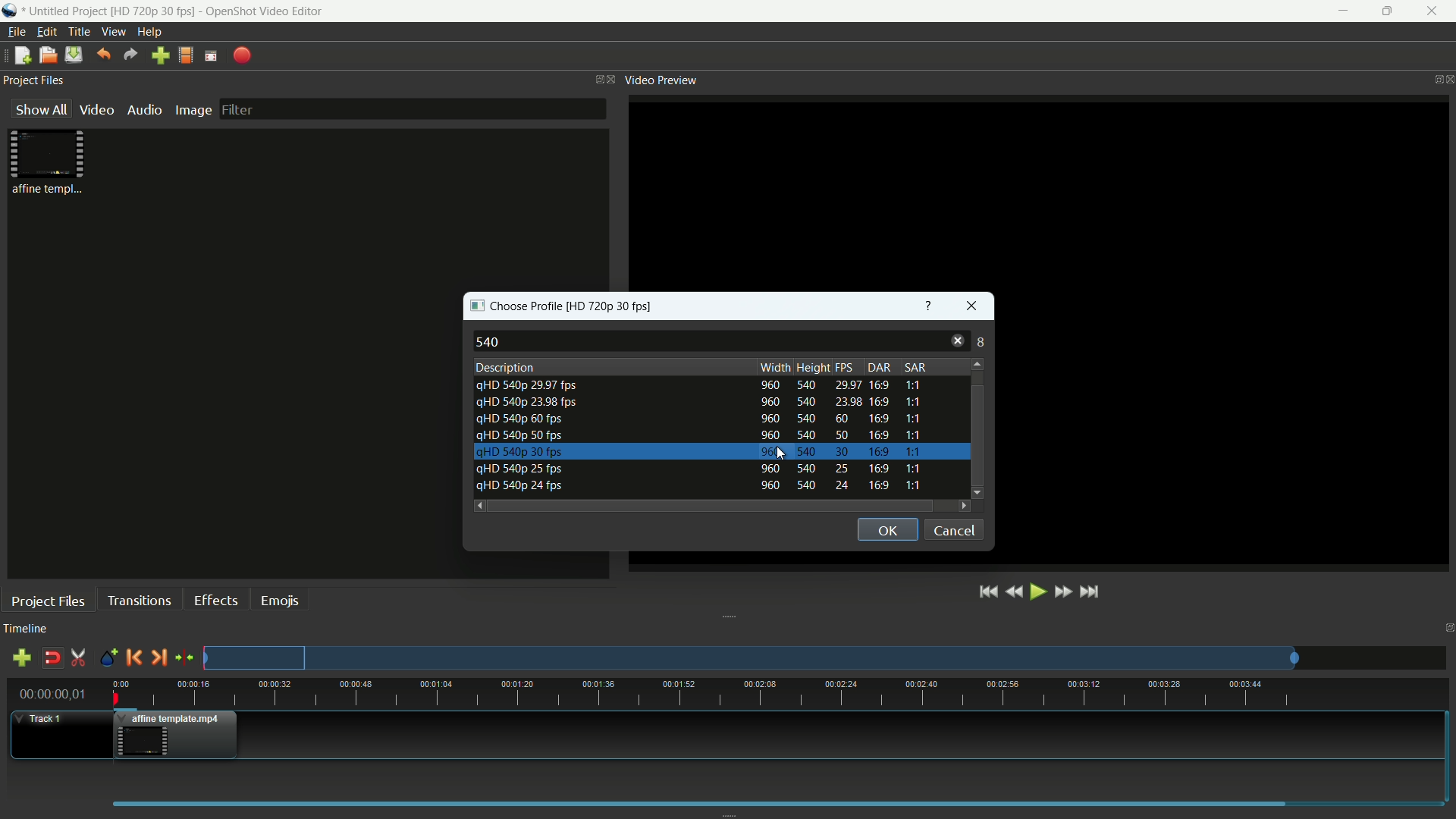  What do you see at coordinates (115, 31) in the screenshot?
I see `view menu` at bounding box center [115, 31].